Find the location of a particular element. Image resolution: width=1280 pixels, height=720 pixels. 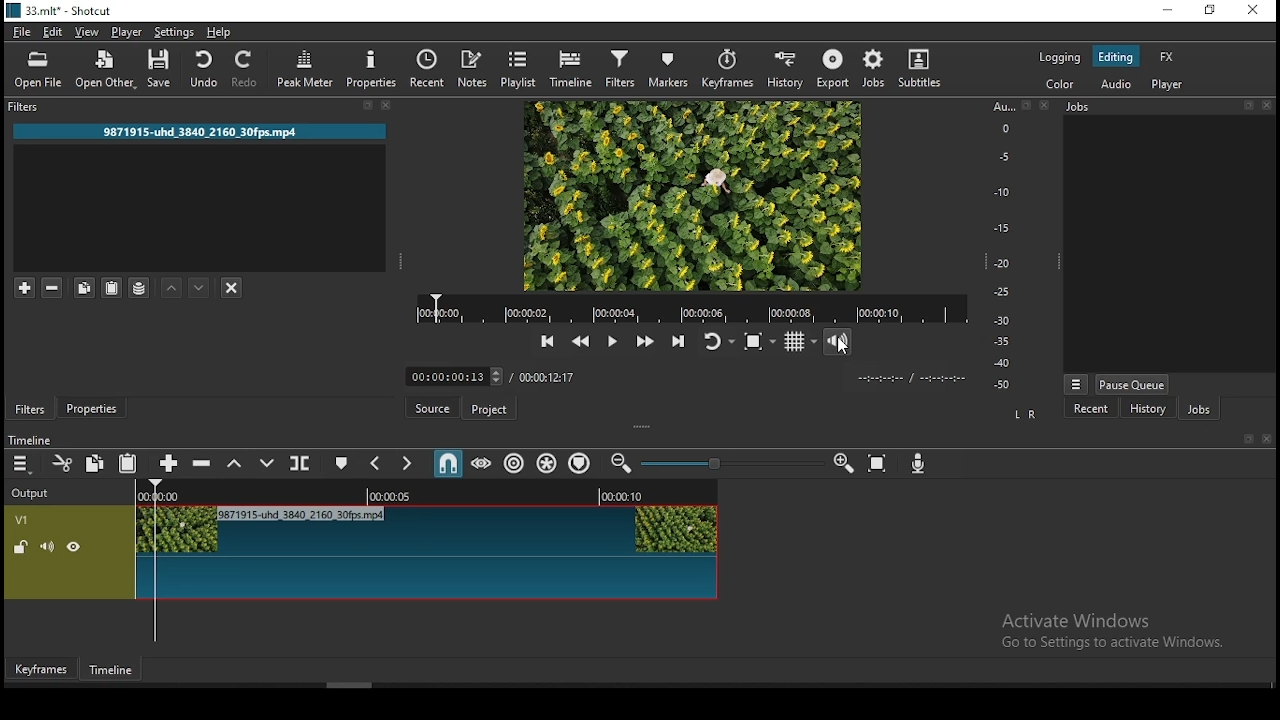

skip to previous point is located at coordinates (547, 341).